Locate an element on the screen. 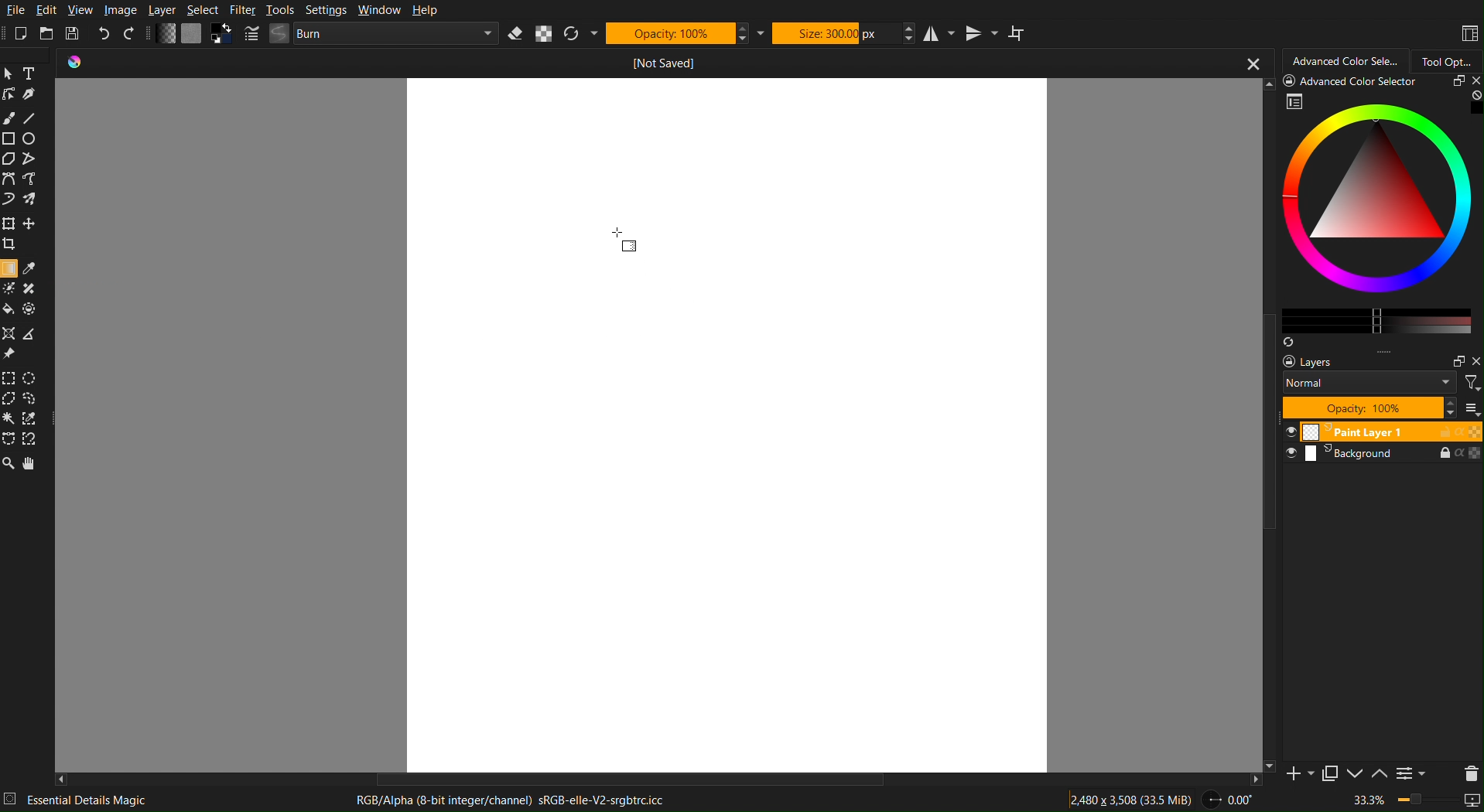  Color Settings is located at coordinates (192, 36).